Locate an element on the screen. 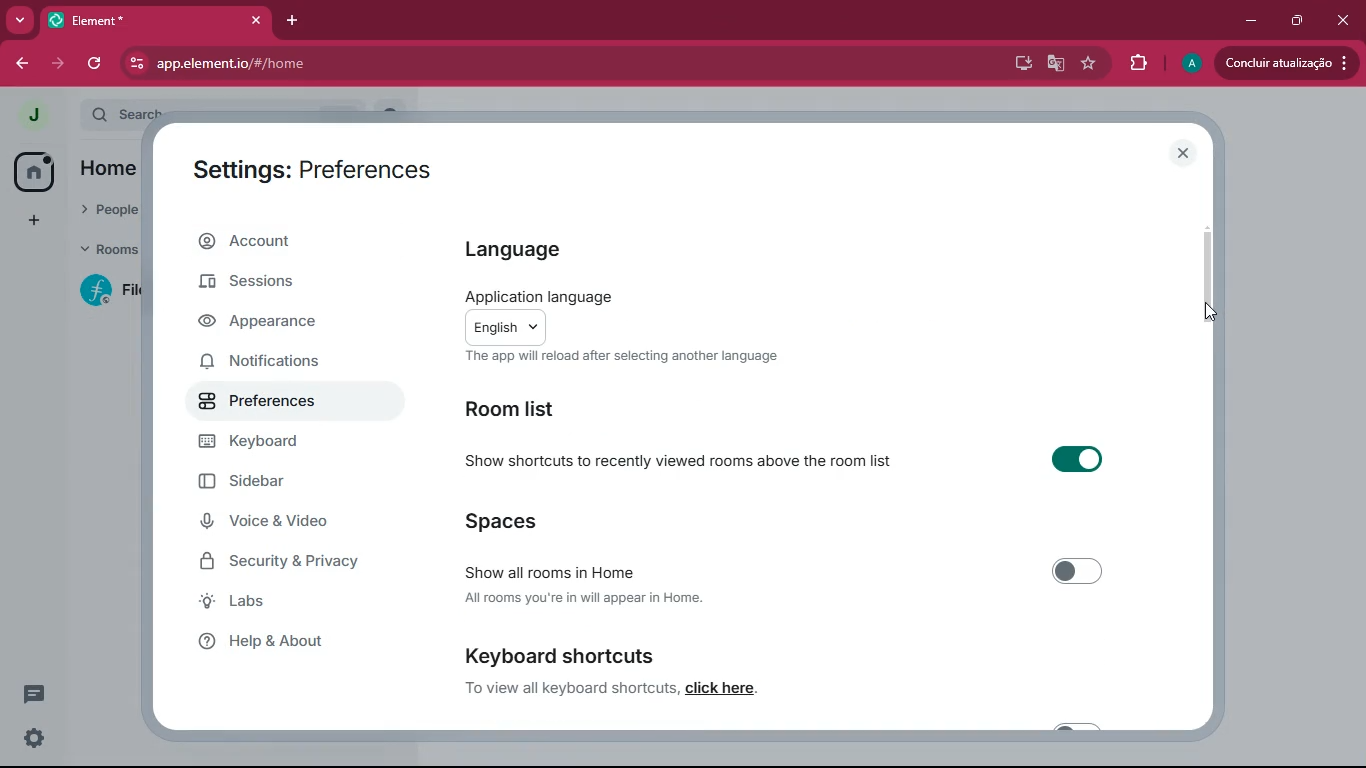 This screenshot has height=768, width=1366. add is located at coordinates (34, 221).